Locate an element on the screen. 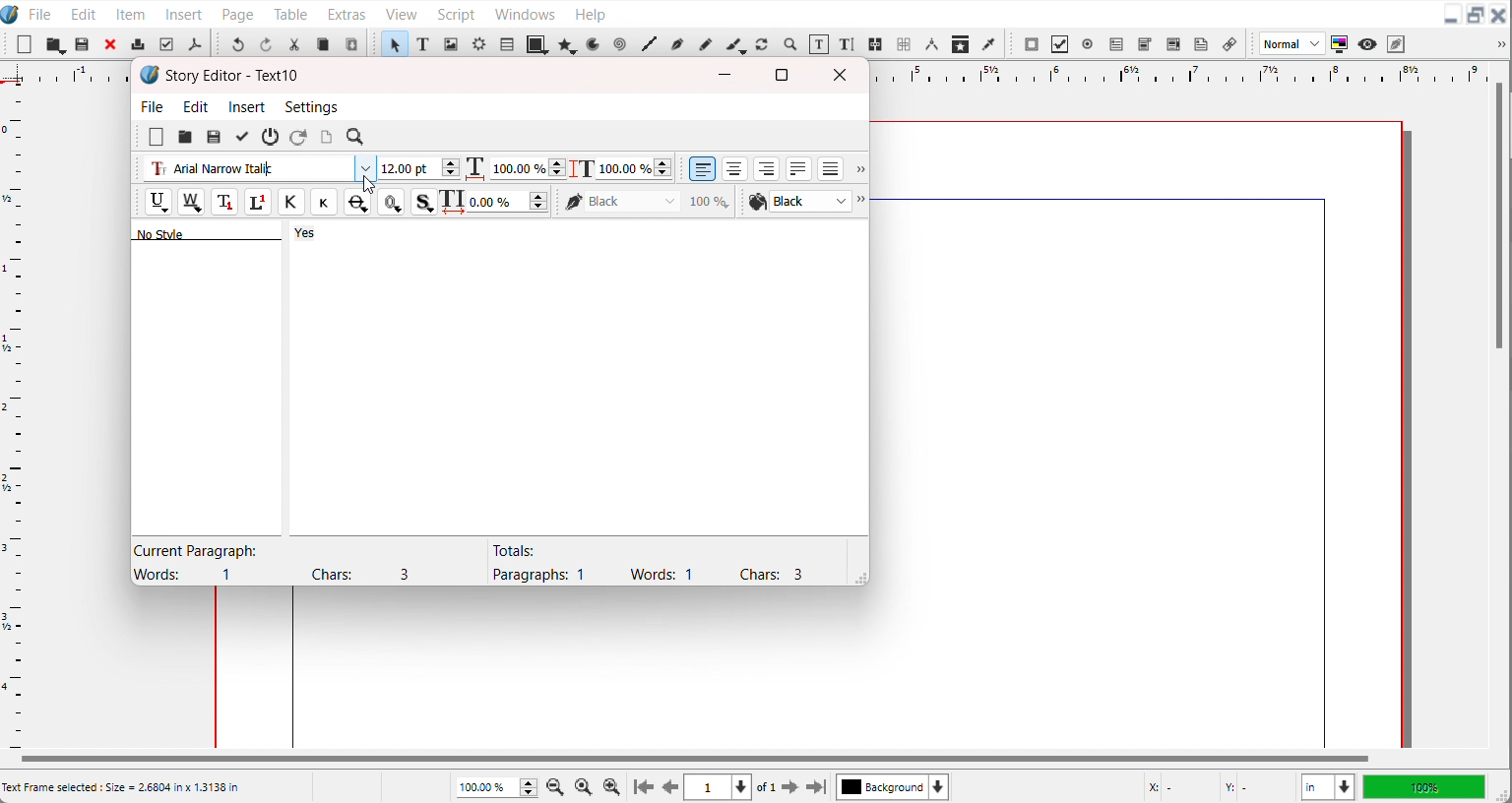 The height and width of the screenshot is (803, 1512). Text Frame is located at coordinates (423, 43).